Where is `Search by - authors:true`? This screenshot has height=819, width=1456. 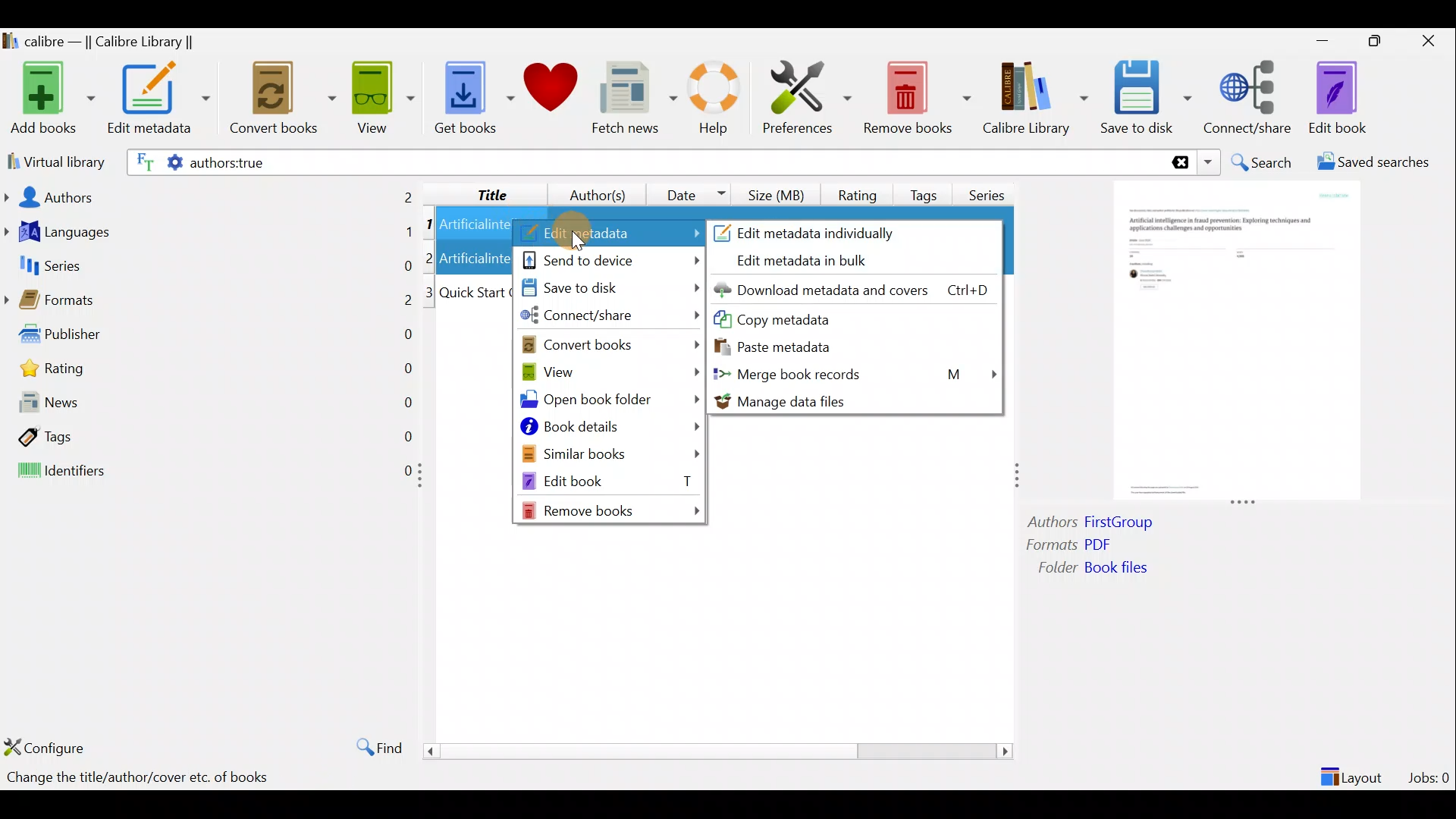
Search by - authors:true is located at coordinates (642, 162).